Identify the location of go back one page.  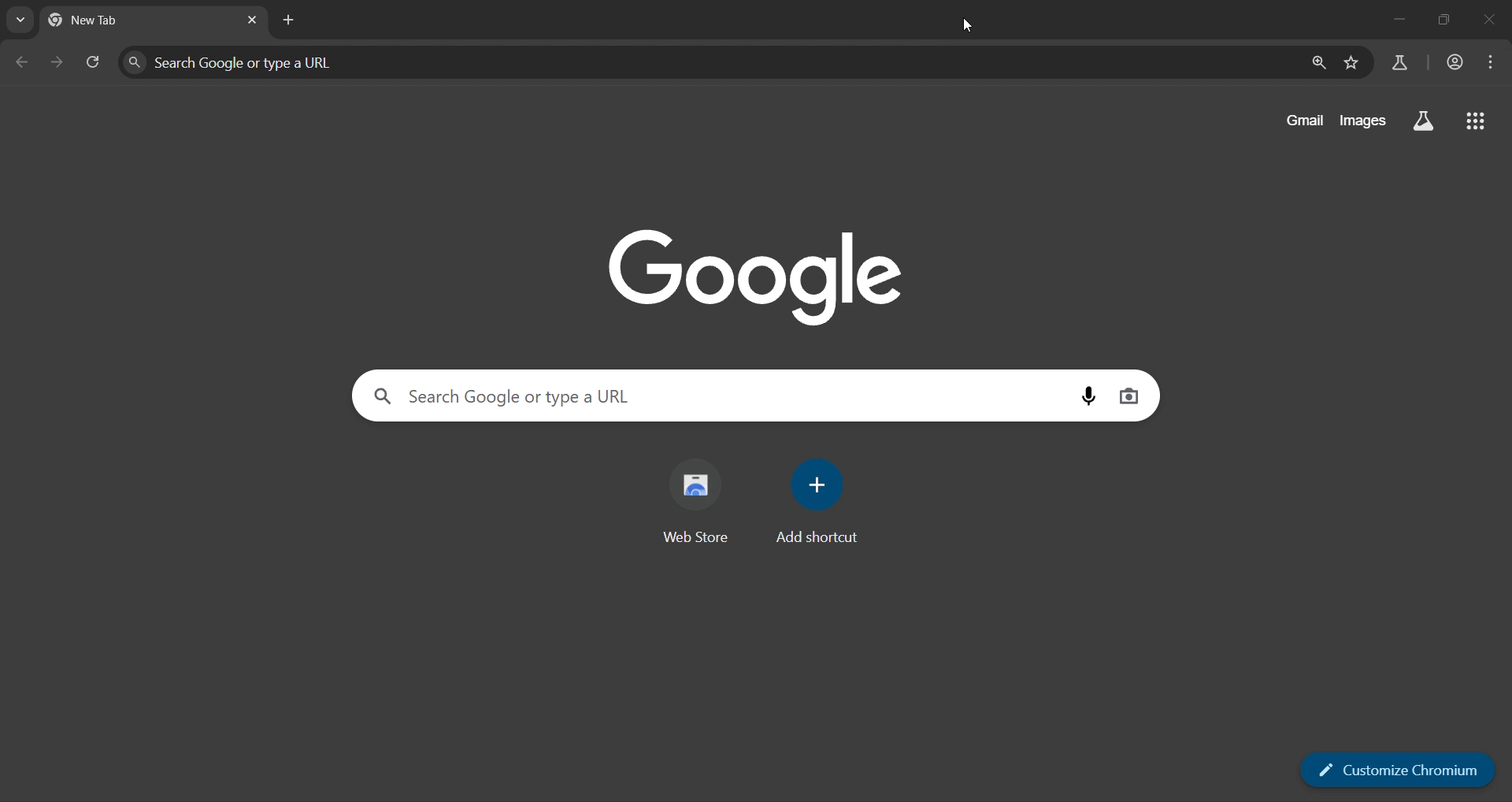
(24, 60).